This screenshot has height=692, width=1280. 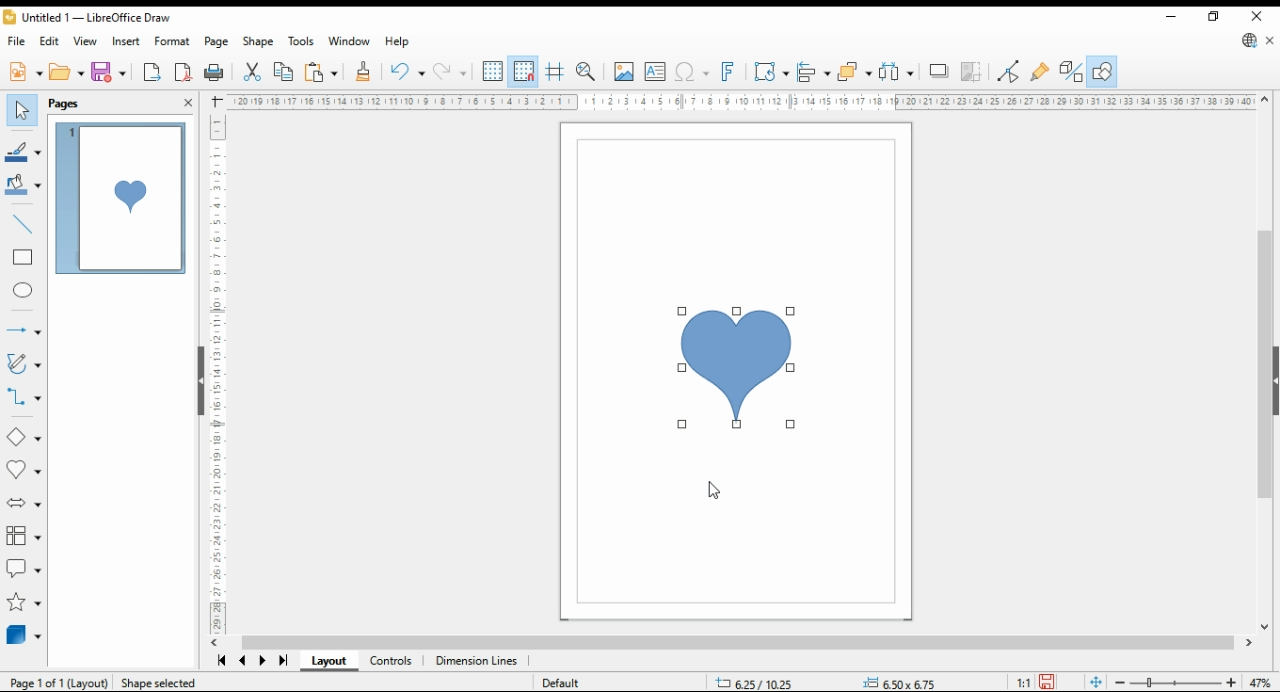 I want to click on scroll bar, so click(x=735, y=643).